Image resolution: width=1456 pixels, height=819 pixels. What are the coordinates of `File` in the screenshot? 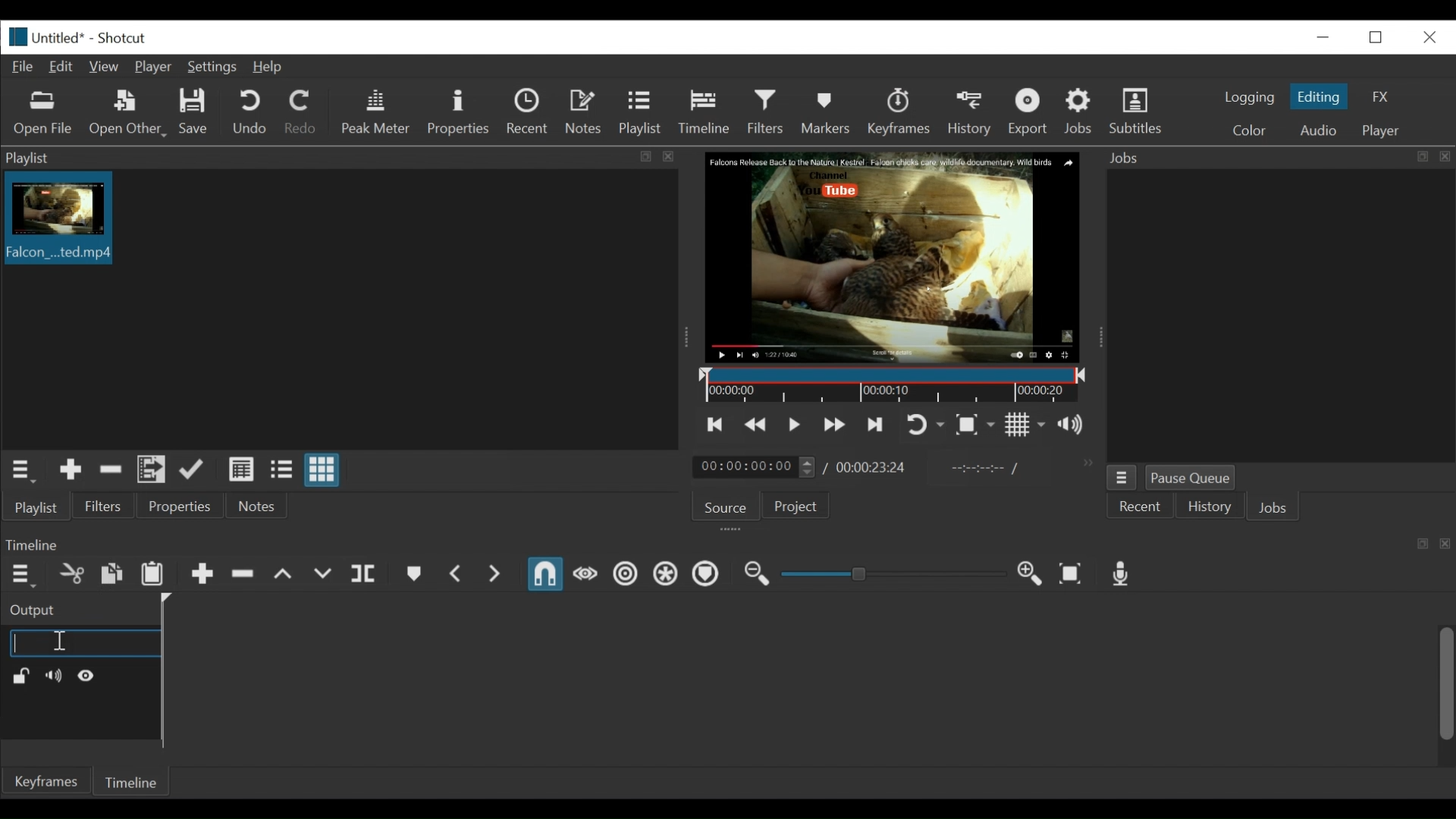 It's located at (22, 67).